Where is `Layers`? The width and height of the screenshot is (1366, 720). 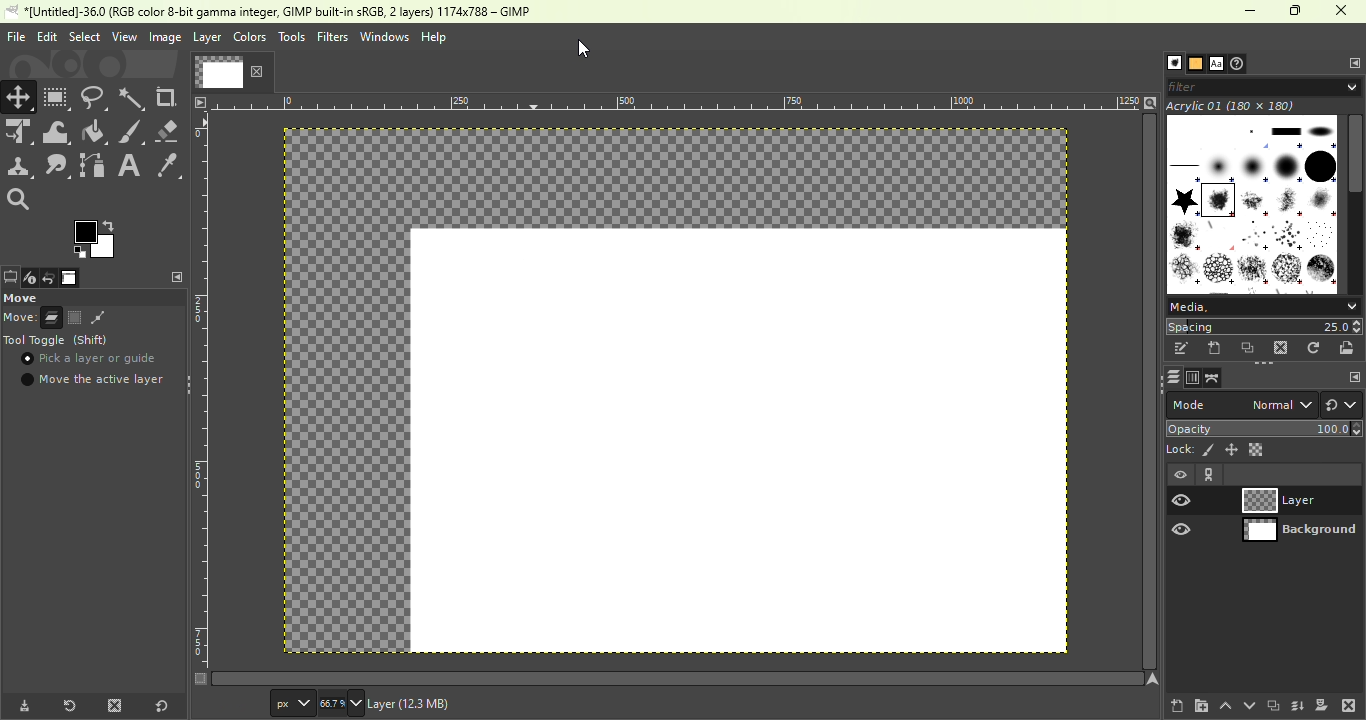
Layers is located at coordinates (1169, 377).